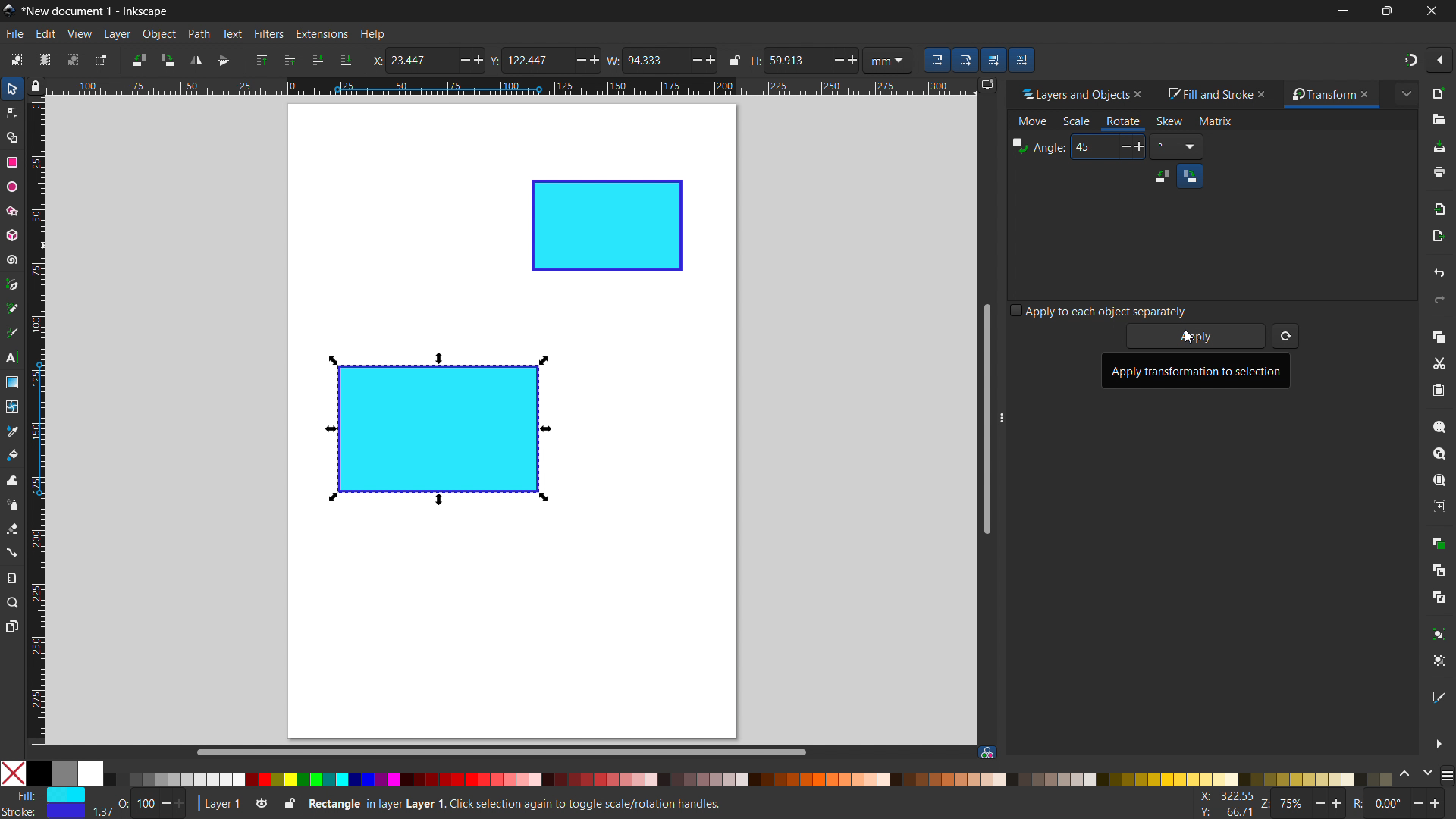  Describe the element at coordinates (1144, 94) in the screenshot. I see `close` at that location.